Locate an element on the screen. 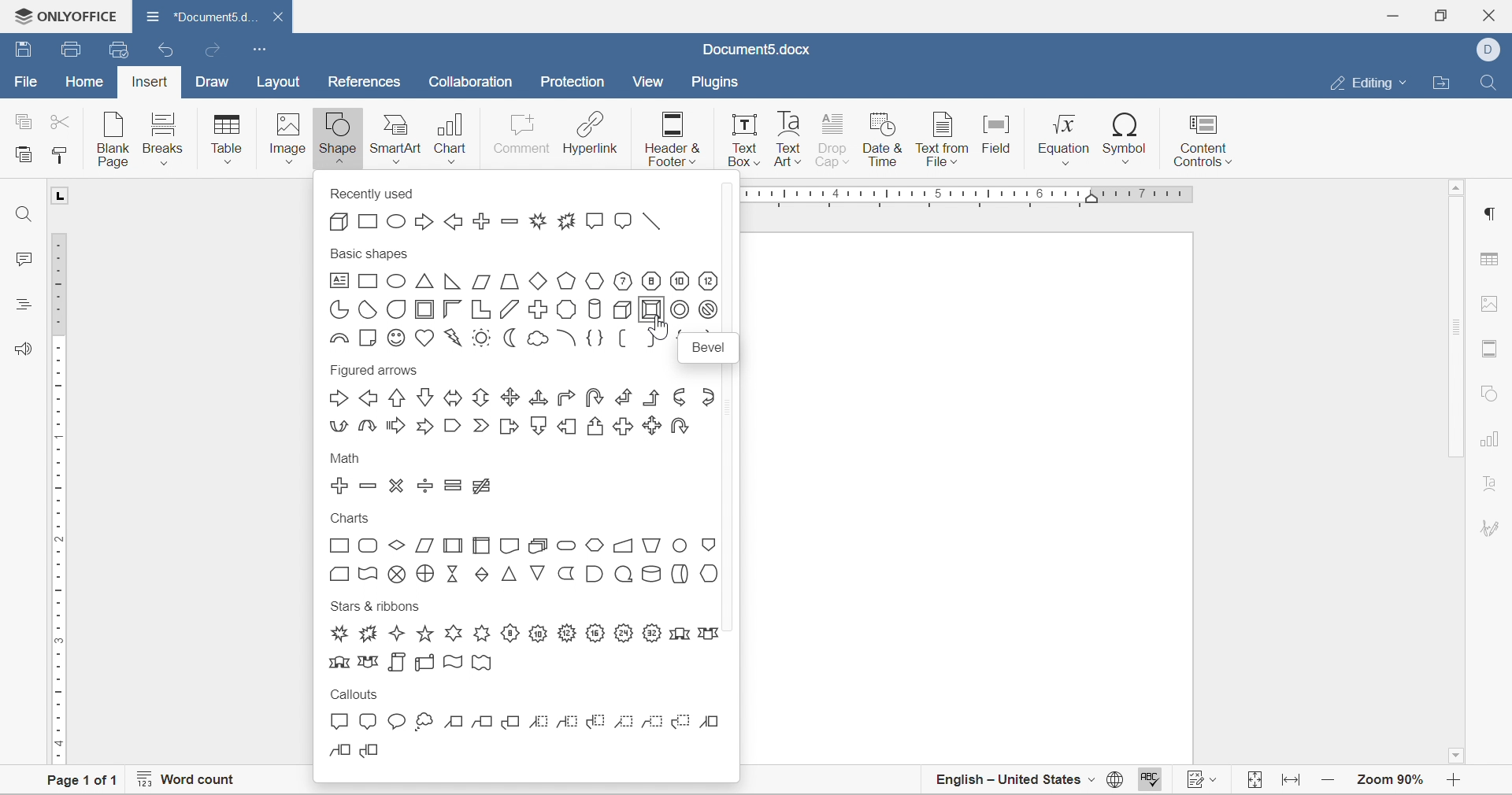  breaks is located at coordinates (166, 135).